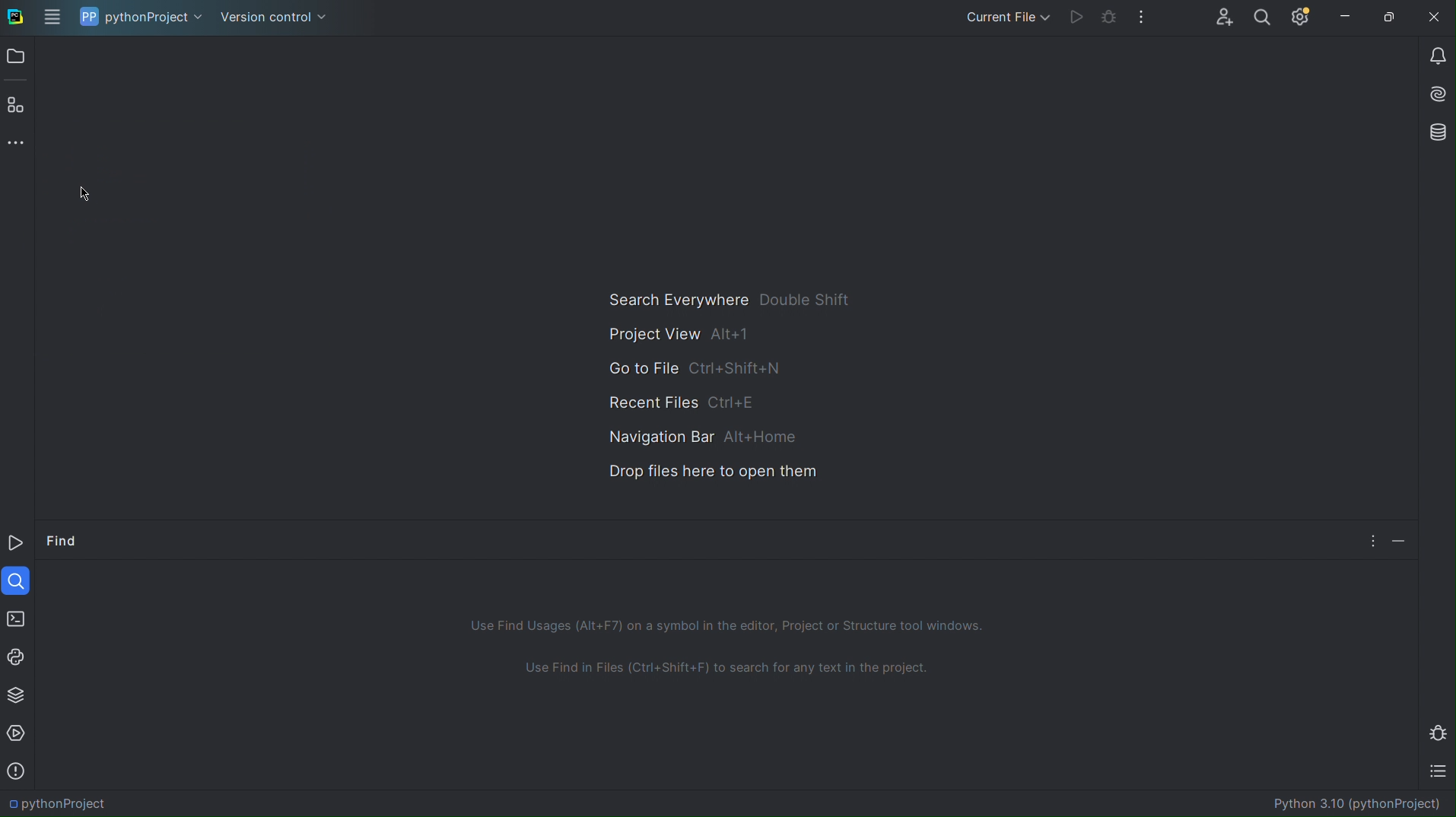 This screenshot has height=817, width=1456. Describe the element at coordinates (1302, 19) in the screenshot. I see `Settings` at that location.